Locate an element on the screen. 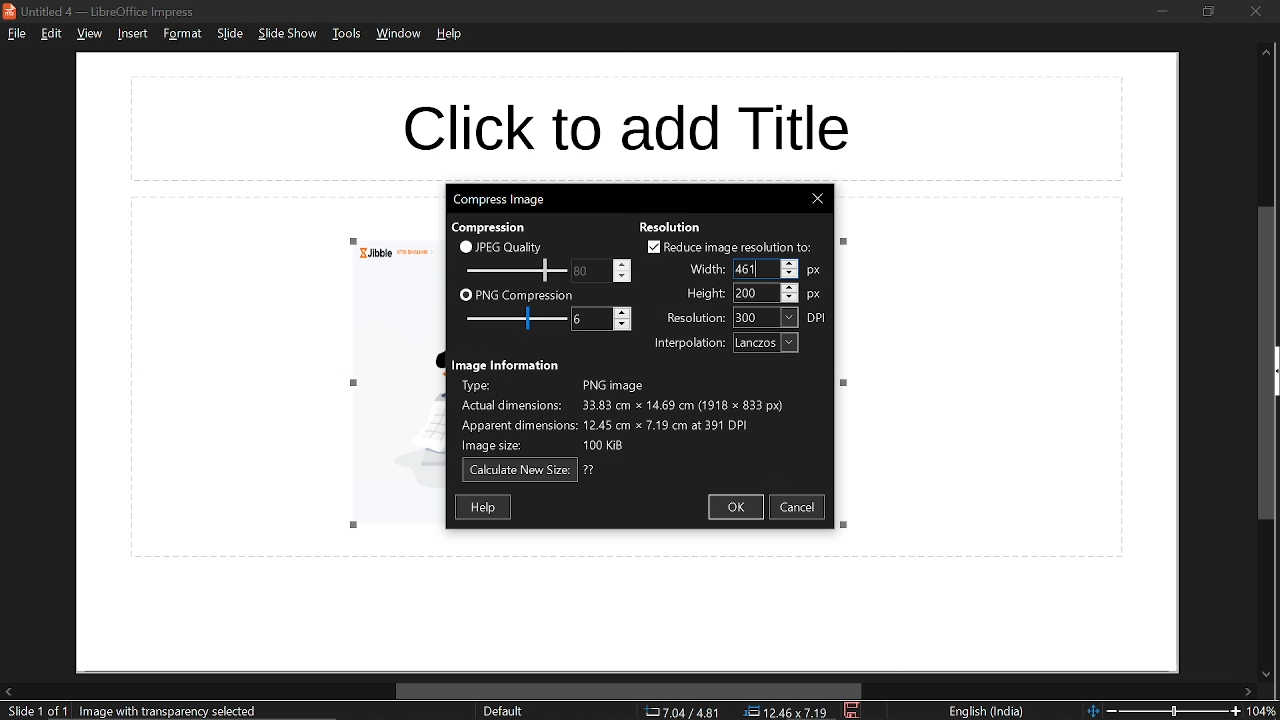 The height and width of the screenshot is (720, 1280). px is located at coordinates (818, 269).